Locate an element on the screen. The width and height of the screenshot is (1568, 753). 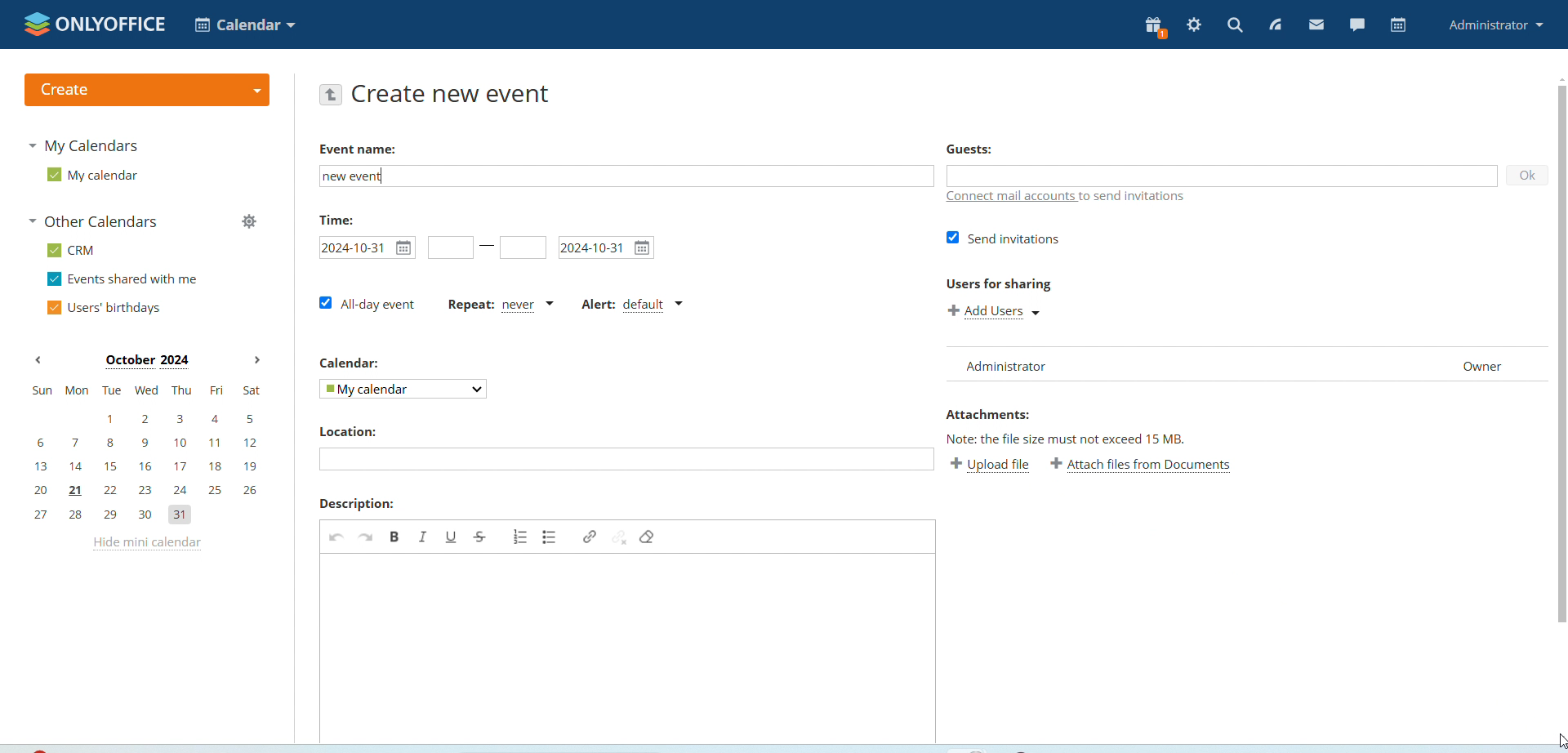
repeat is located at coordinates (501, 306).